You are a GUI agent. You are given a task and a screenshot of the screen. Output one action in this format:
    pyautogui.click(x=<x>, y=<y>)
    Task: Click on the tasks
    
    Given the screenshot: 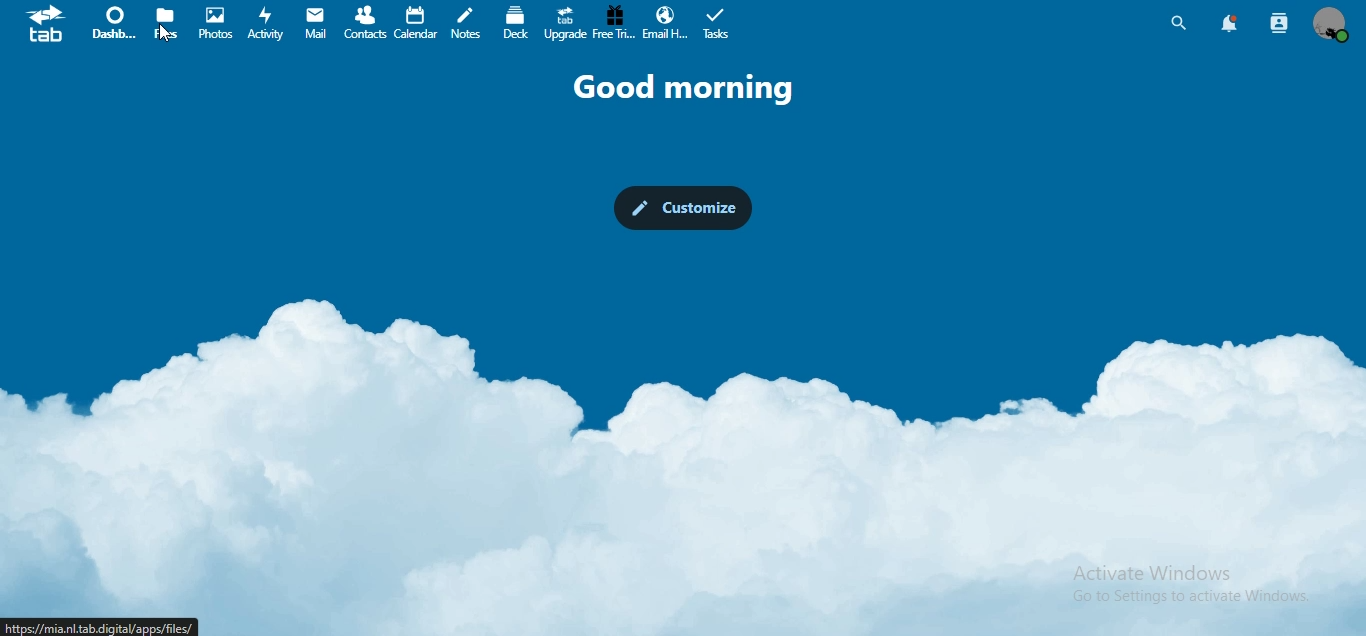 What is the action you would take?
    pyautogui.click(x=719, y=25)
    